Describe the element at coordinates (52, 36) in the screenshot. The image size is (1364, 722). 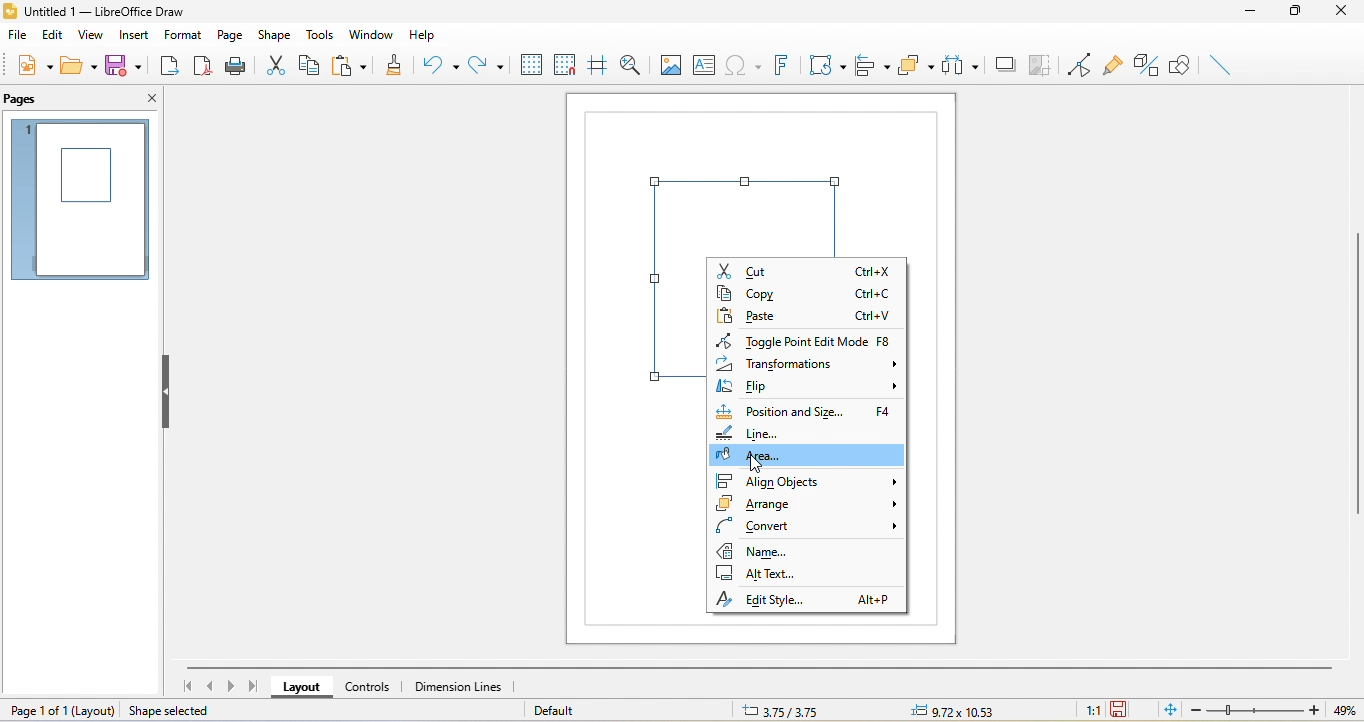
I see `edit` at that location.